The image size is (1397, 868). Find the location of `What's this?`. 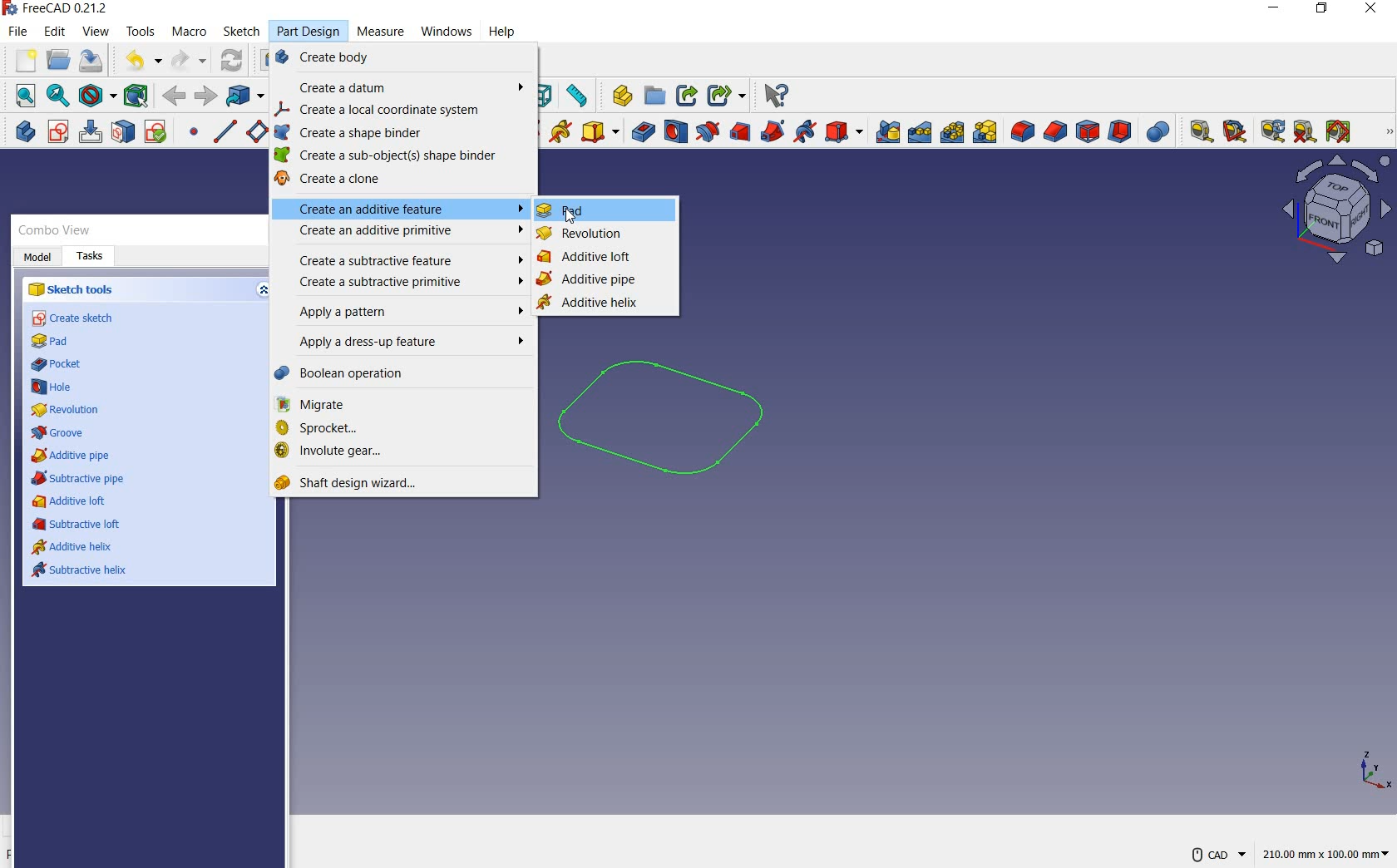

What's this? is located at coordinates (617, 96).